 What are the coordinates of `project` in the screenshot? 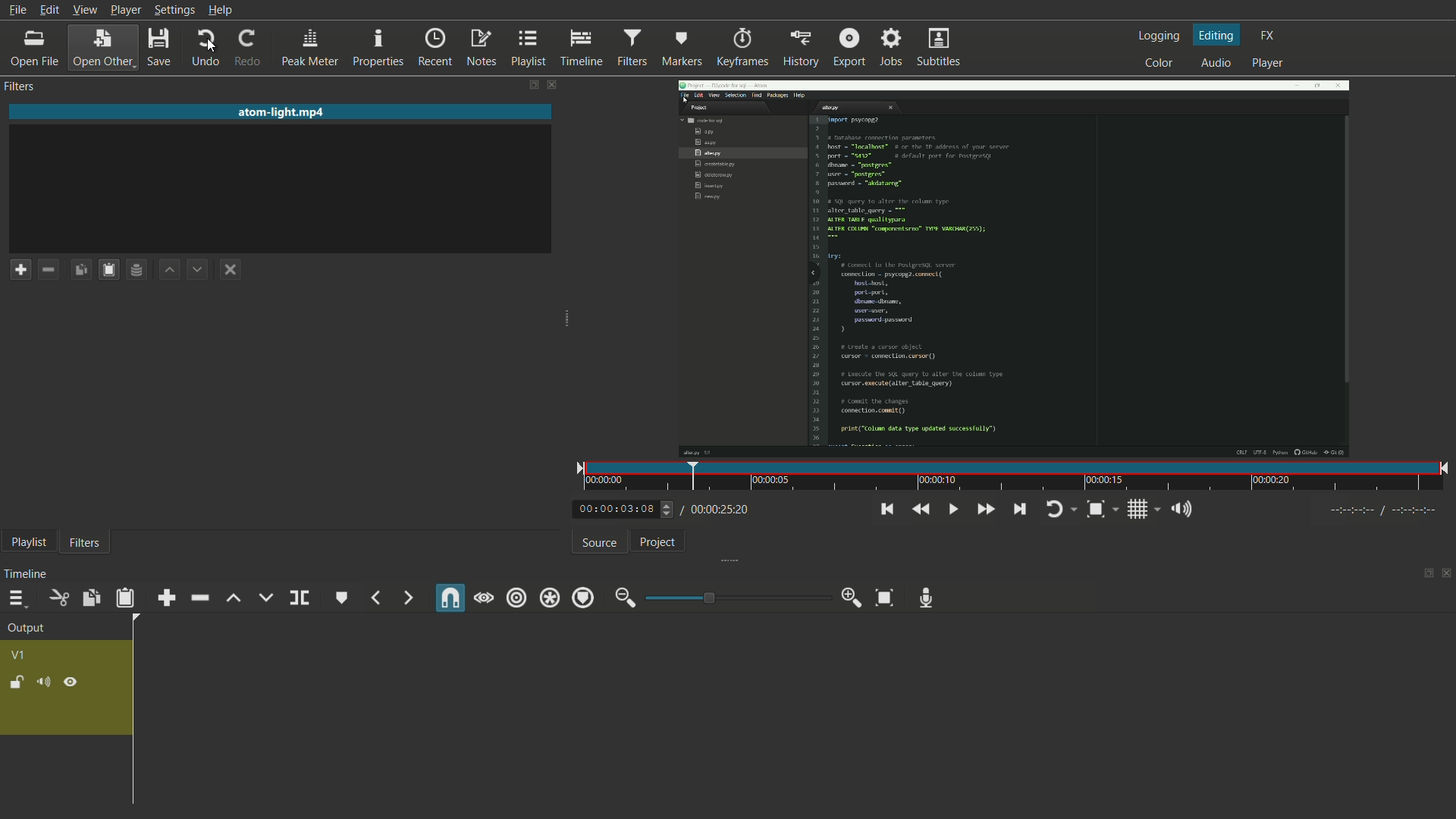 It's located at (661, 542).